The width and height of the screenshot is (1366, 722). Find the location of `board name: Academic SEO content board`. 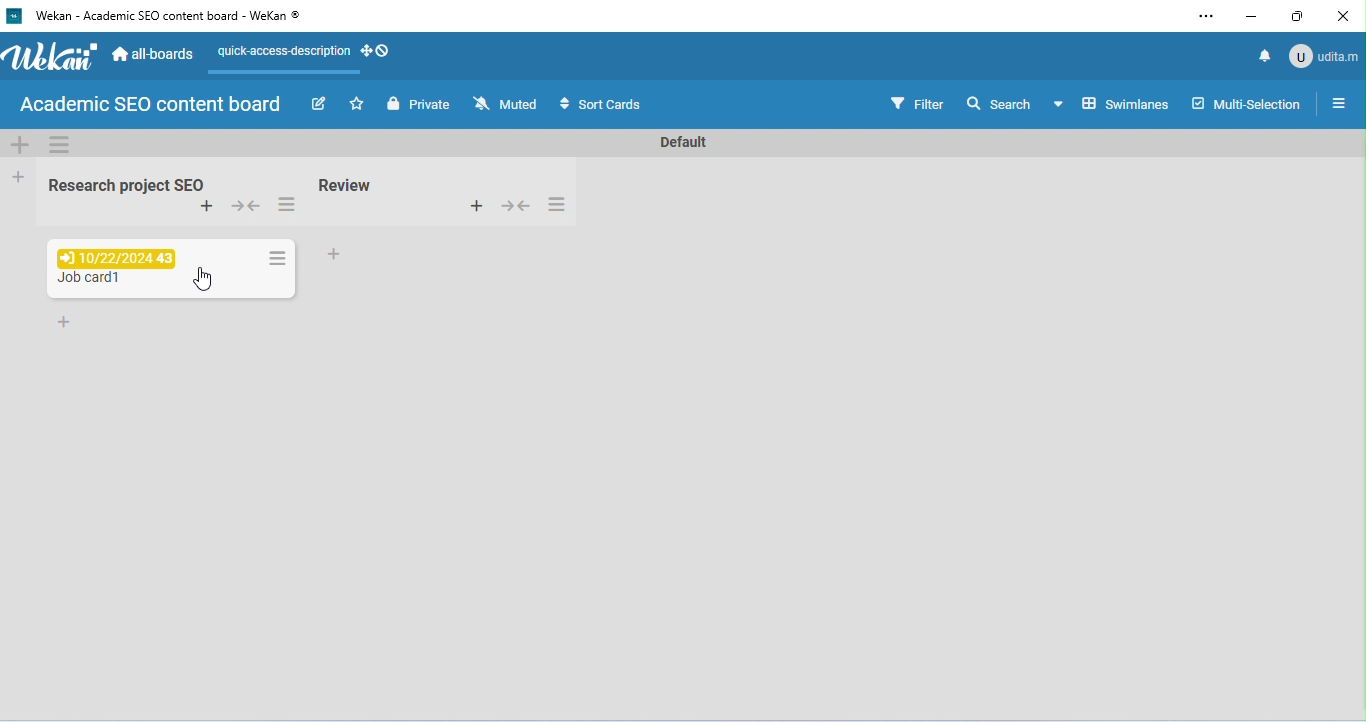

board name: Academic SEO content board is located at coordinates (149, 105).